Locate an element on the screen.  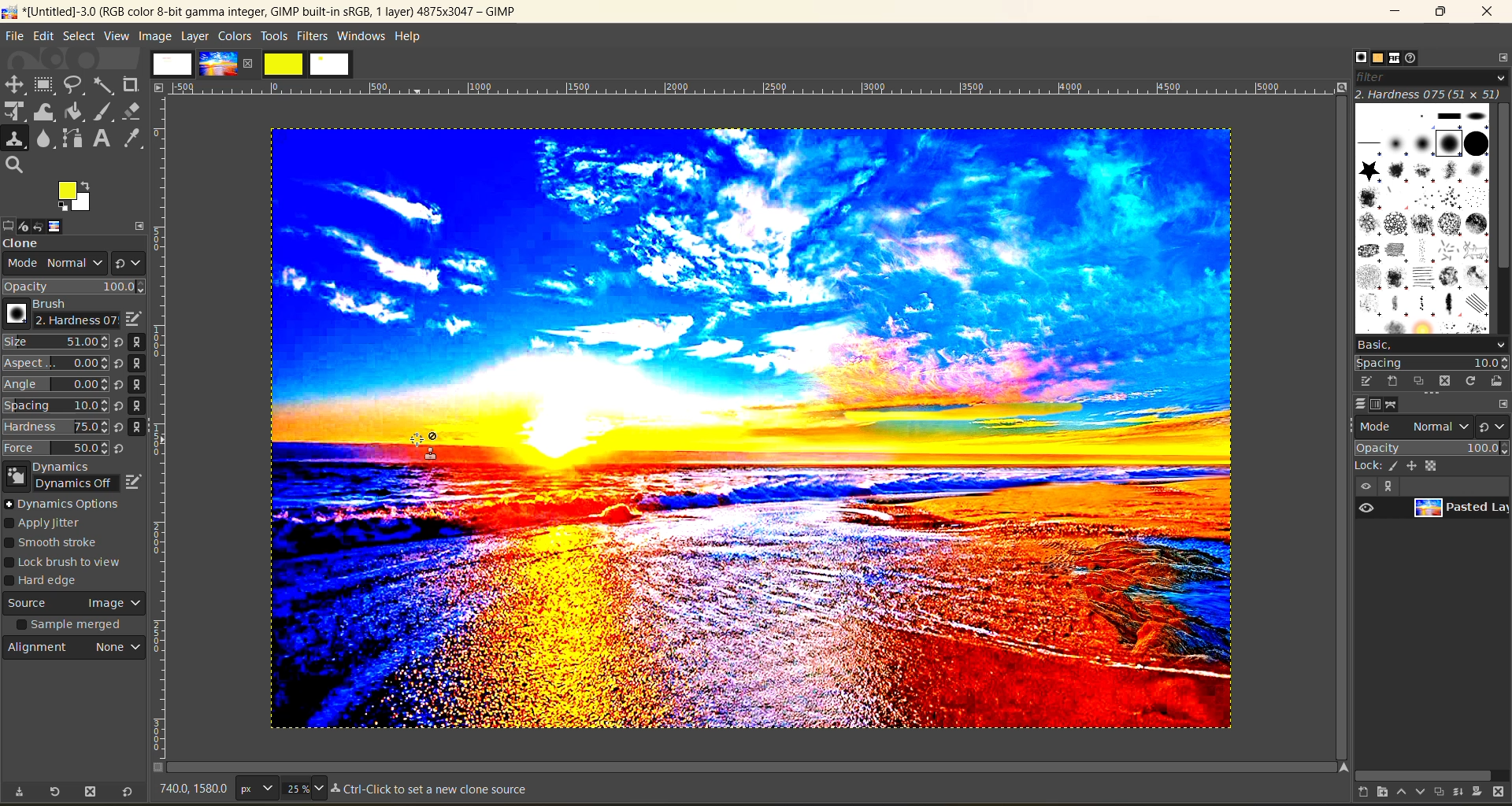
vertical scroll bar is located at coordinates (1503, 188).